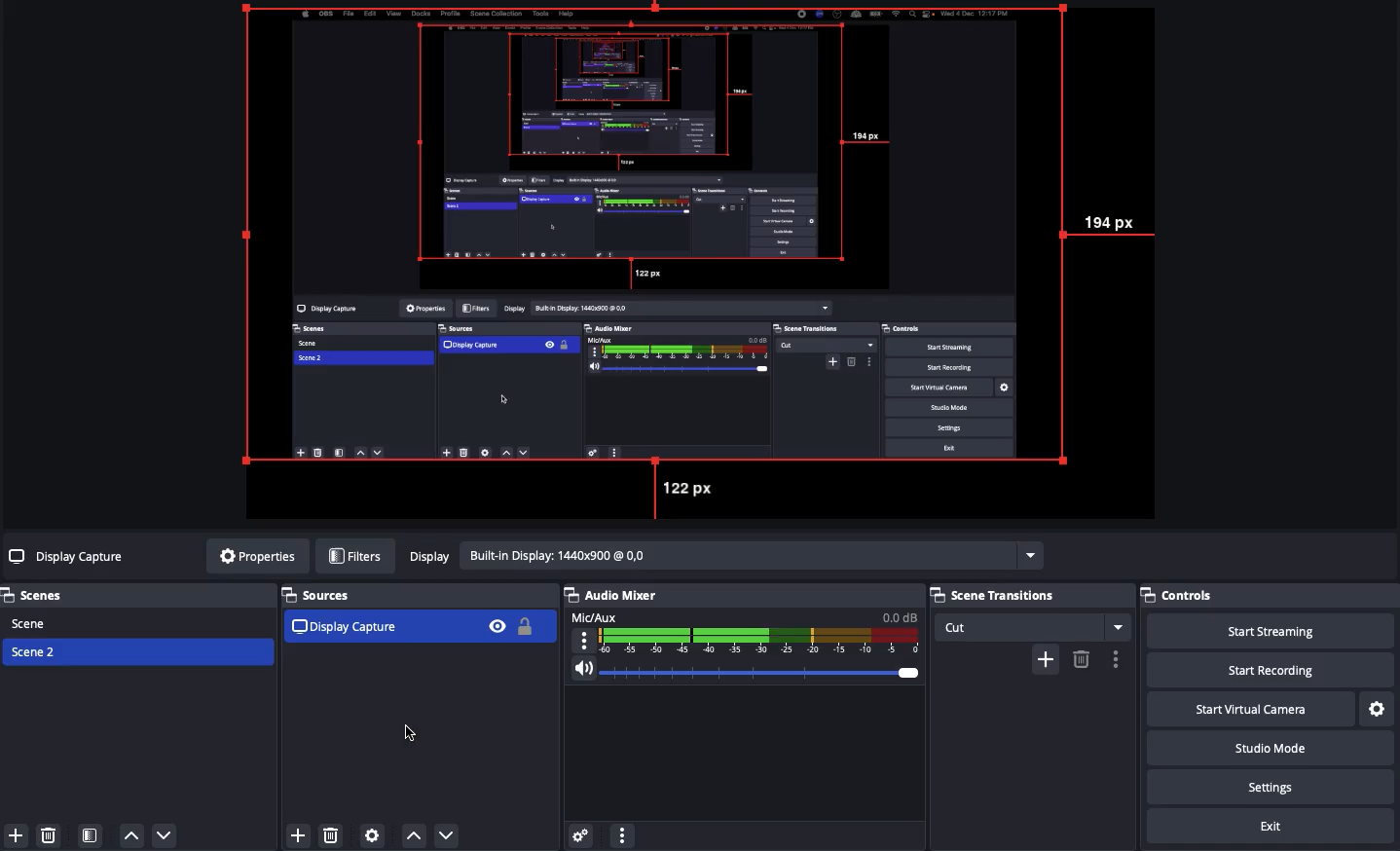 The width and height of the screenshot is (1400, 851). What do you see at coordinates (1119, 659) in the screenshot?
I see `more options` at bounding box center [1119, 659].